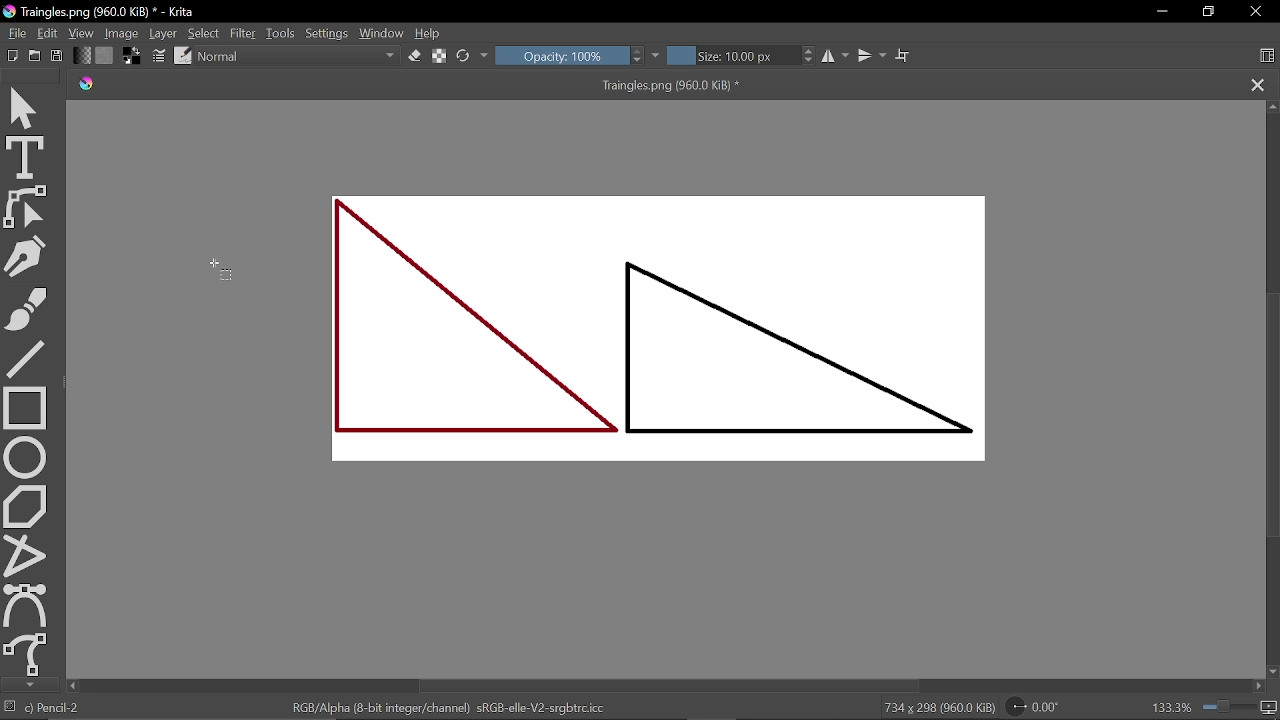 The height and width of the screenshot is (720, 1280). Describe the element at coordinates (18, 33) in the screenshot. I see `File` at that location.